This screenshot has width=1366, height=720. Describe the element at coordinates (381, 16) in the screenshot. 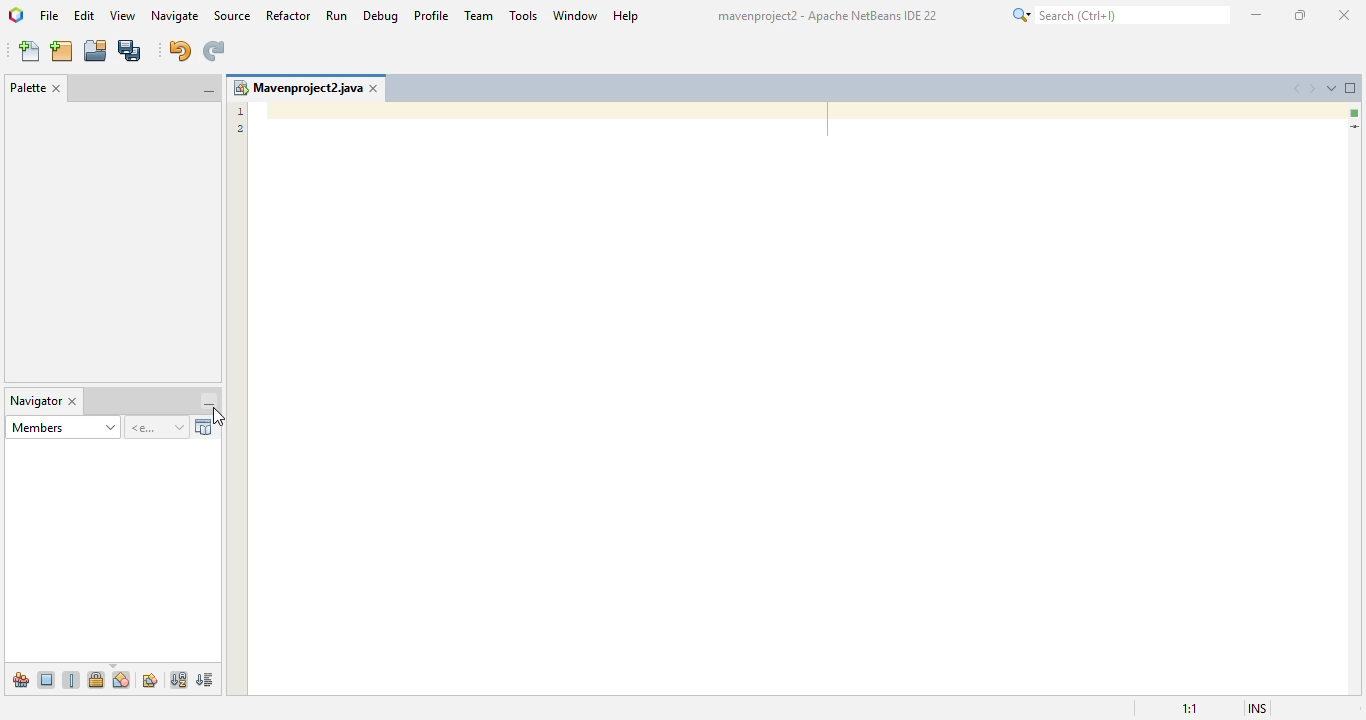

I see `debug` at that location.